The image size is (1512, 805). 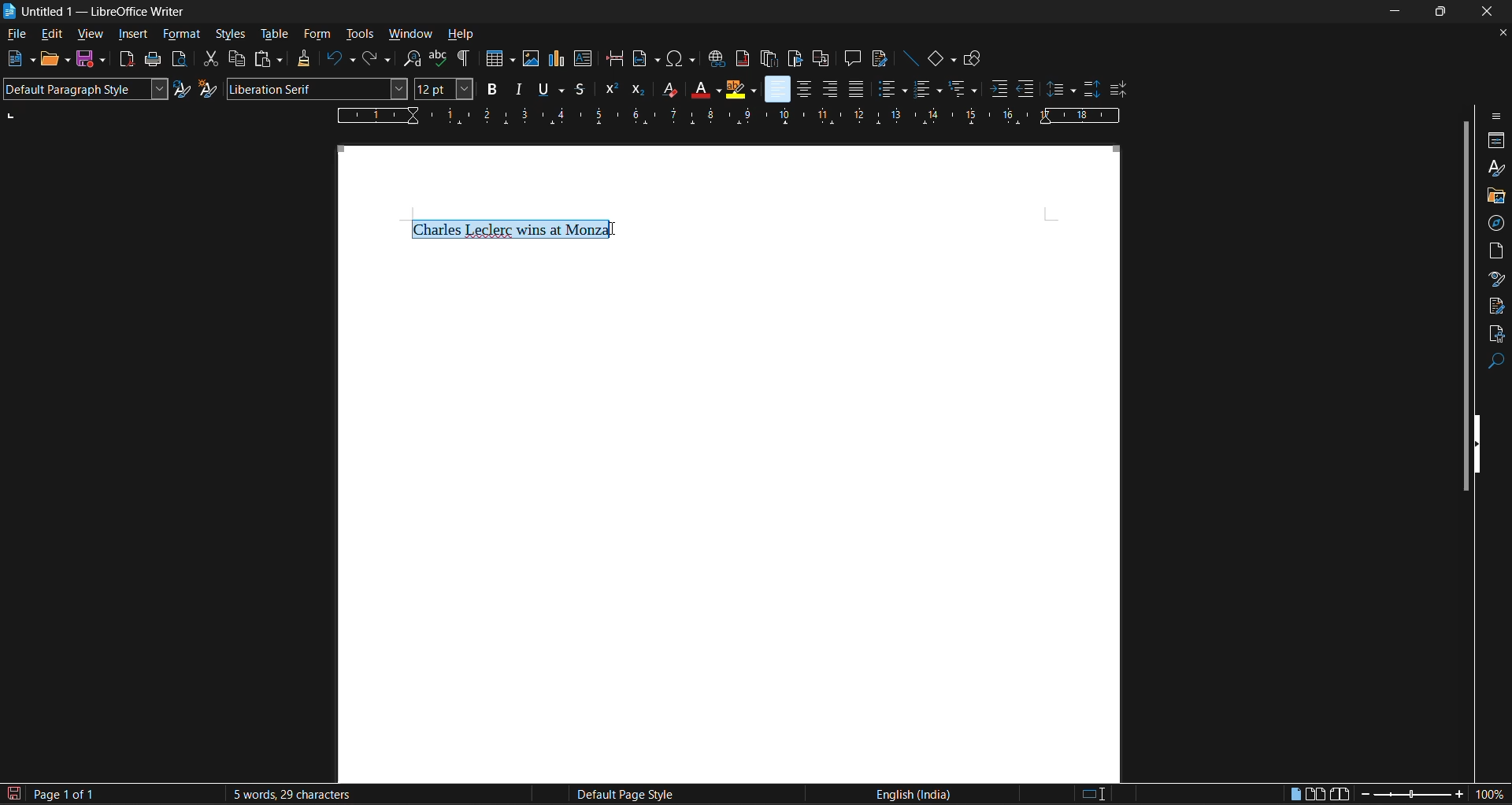 I want to click on minimize, so click(x=1397, y=9).